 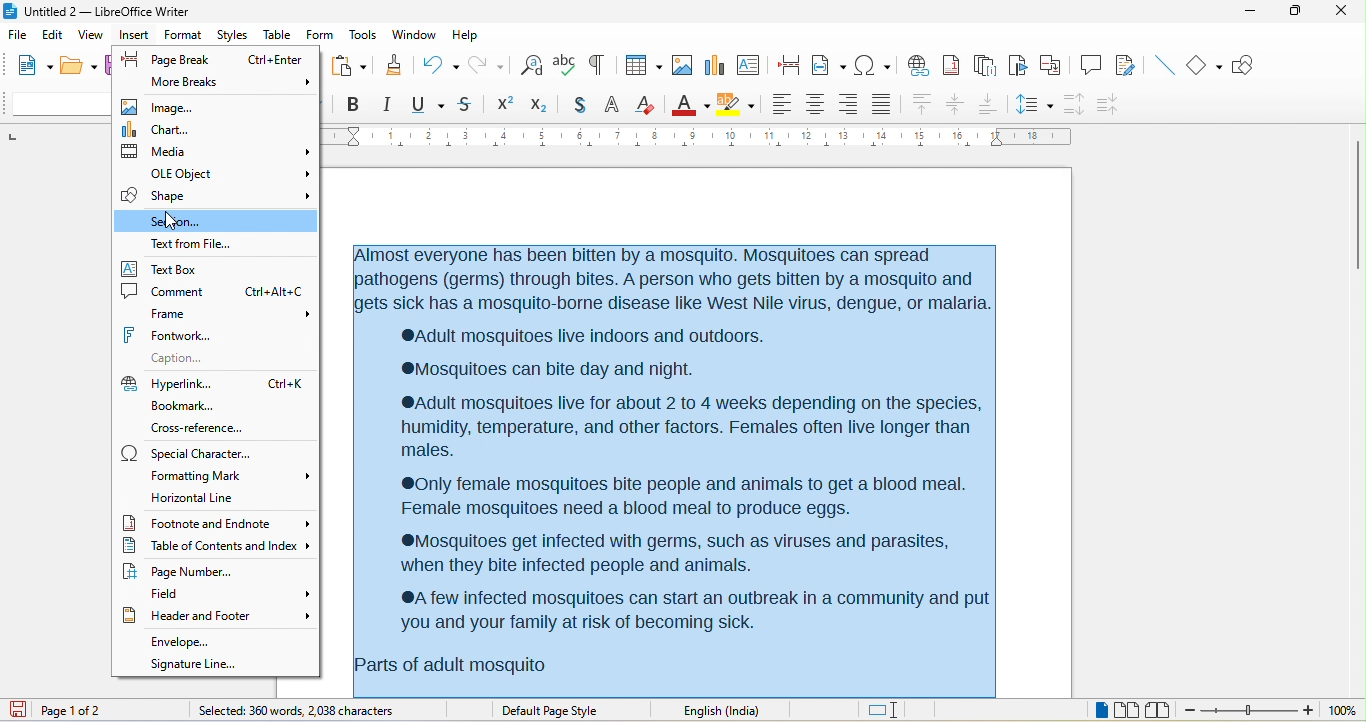 What do you see at coordinates (787, 63) in the screenshot?
I see `page break` at bounding box center [787, 63].